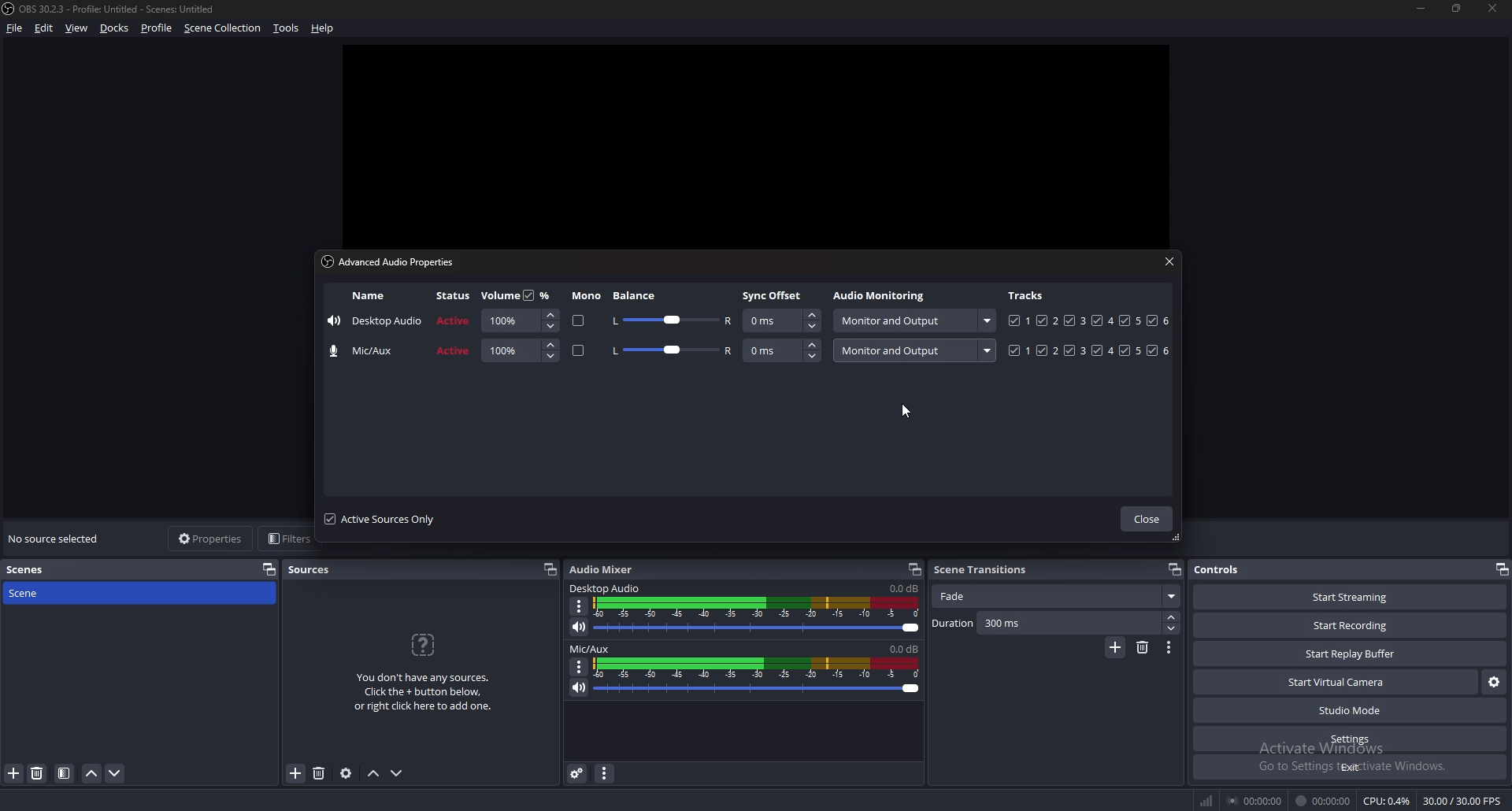 The image size is (1512, 811). What do you see at coordinates (15, 28) in the screenshot?
I see `file` at bounding box center [15, 28].